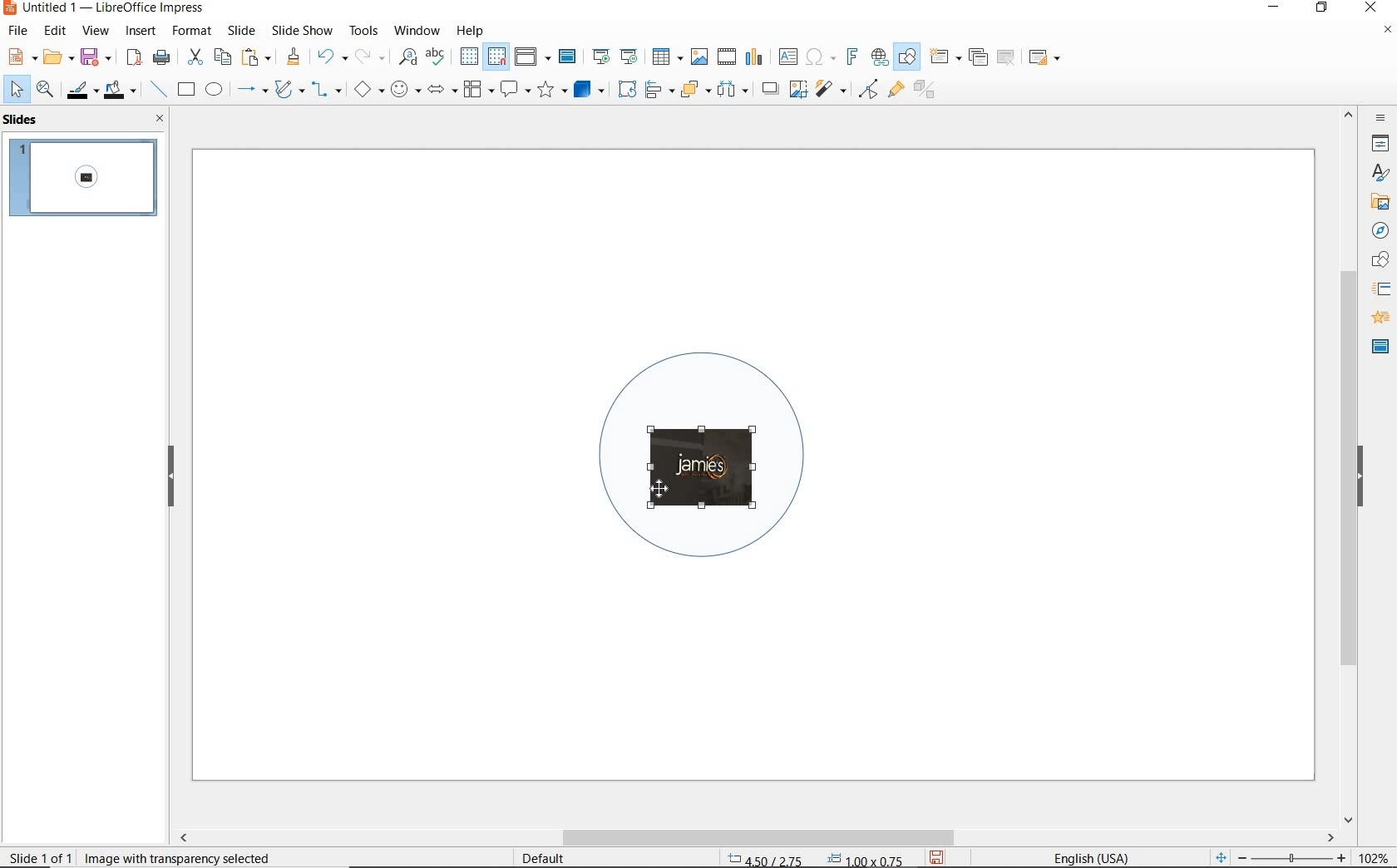 The image size is (1397, 868). Describe the element at coordinates (1387, 33) in the screenshot. I see `close document` at that location.